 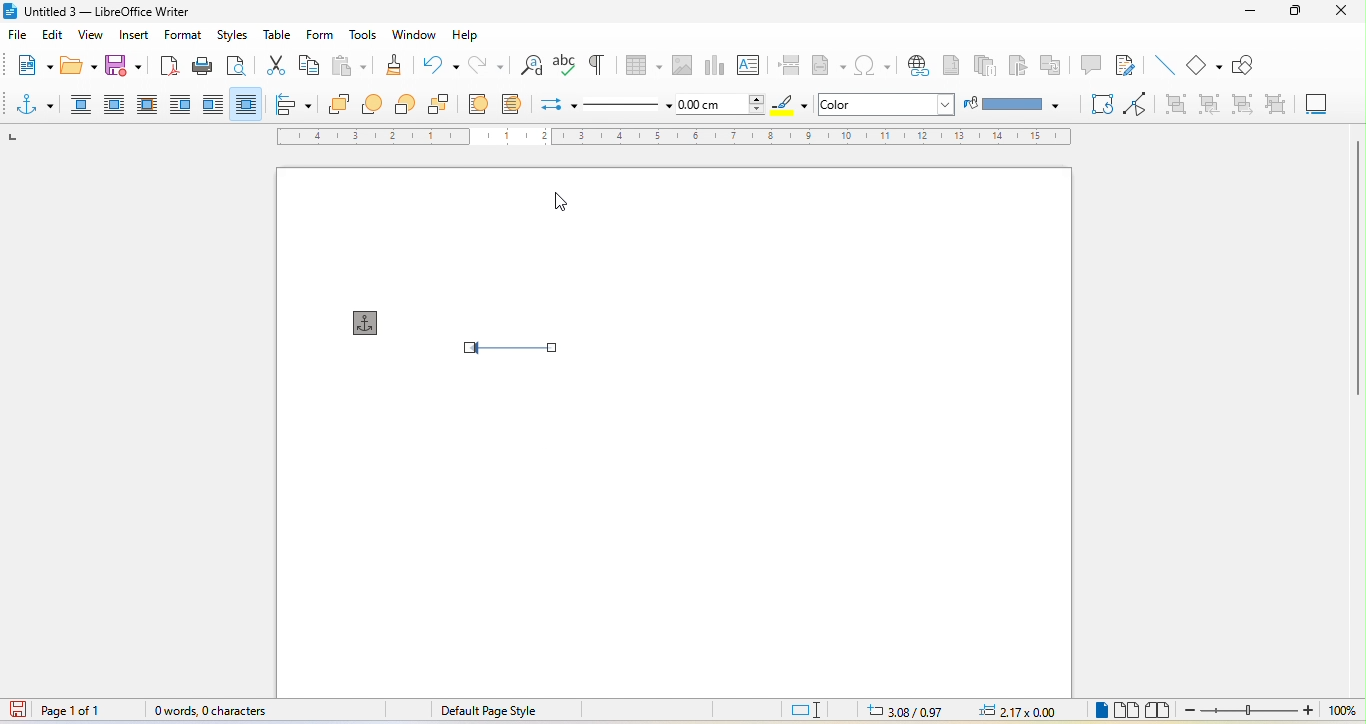 What do you see at coordinates (642, 62) in the screenshot?
I see `table` at bounding box center [642, 62].